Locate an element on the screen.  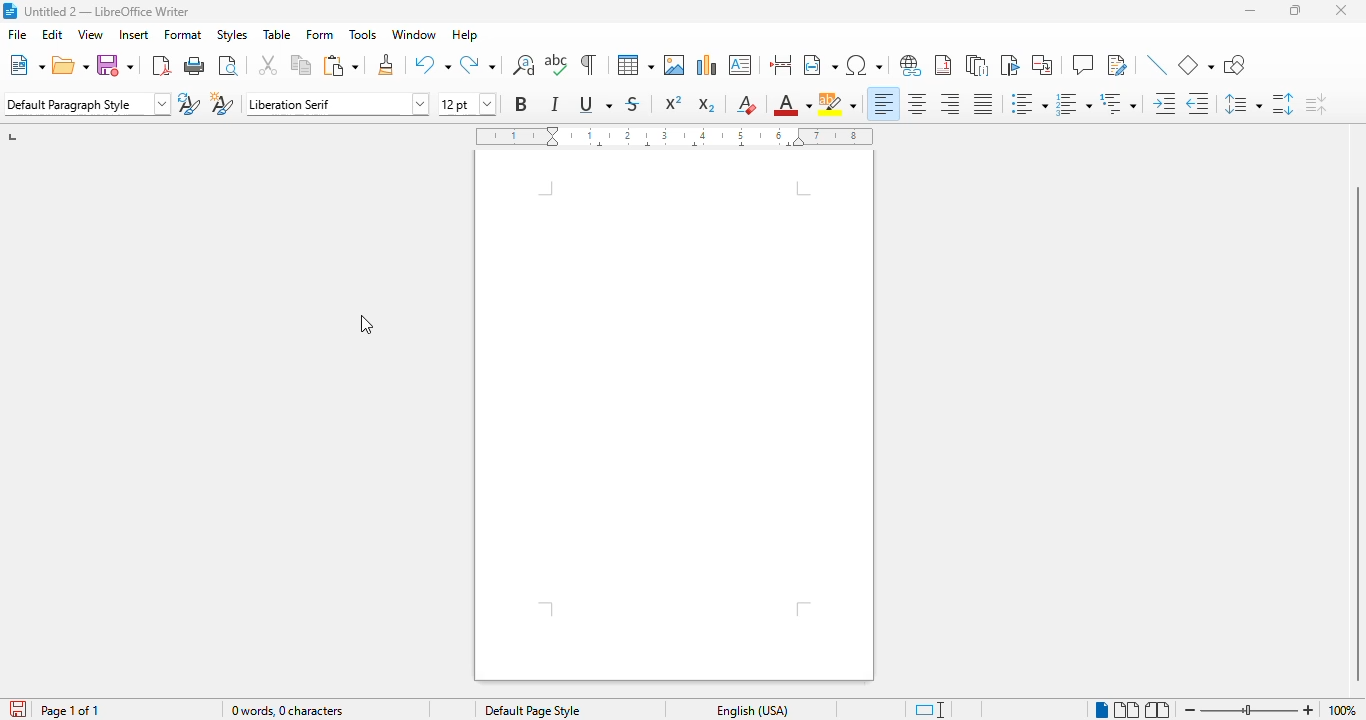
logo is located at coordinates (10, 11).